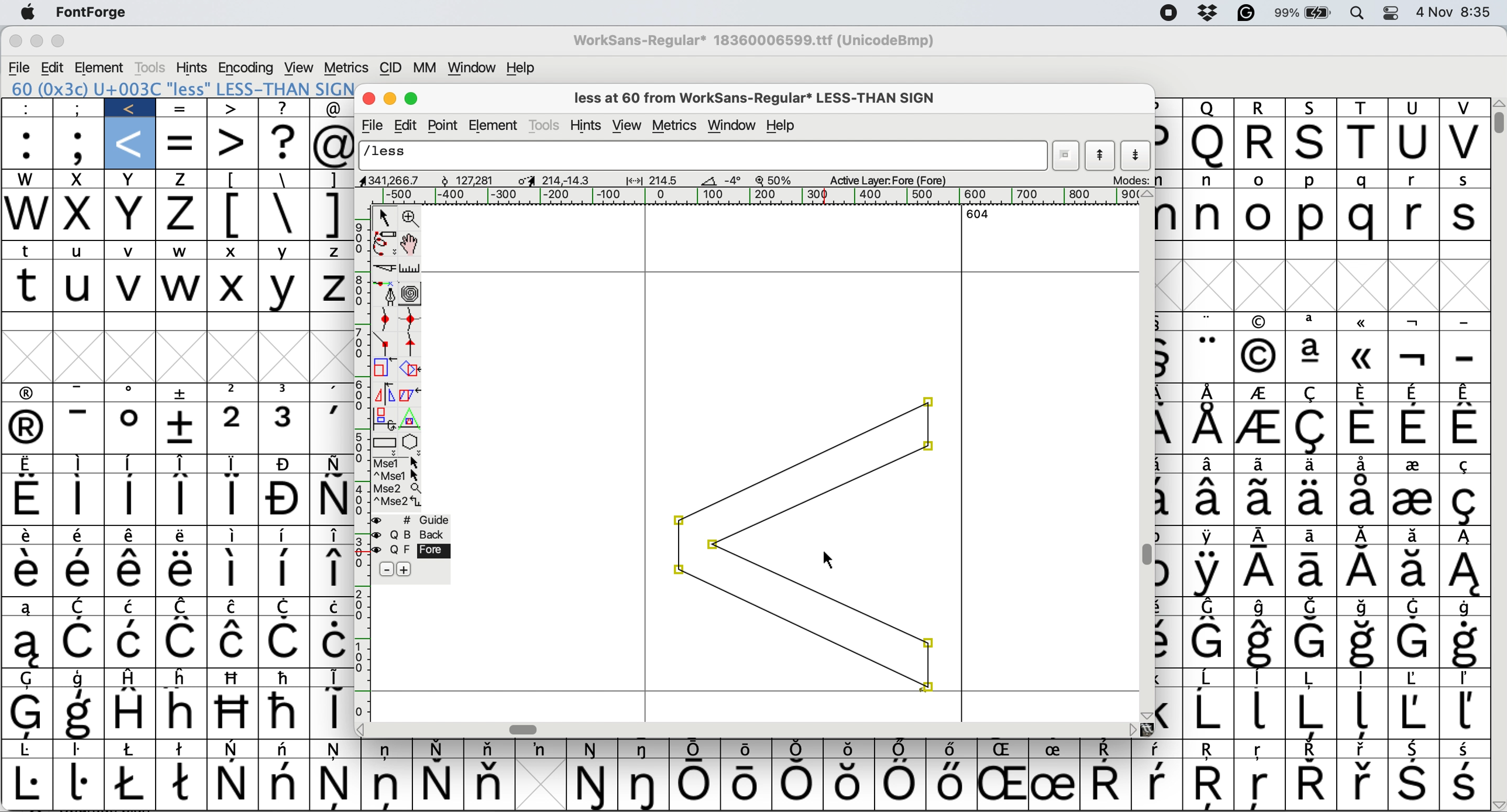 This screenshot has width=1507, height=812. Describe the element at coordinates (135, 749) in the screenshot. I see `Symbol` at that location.